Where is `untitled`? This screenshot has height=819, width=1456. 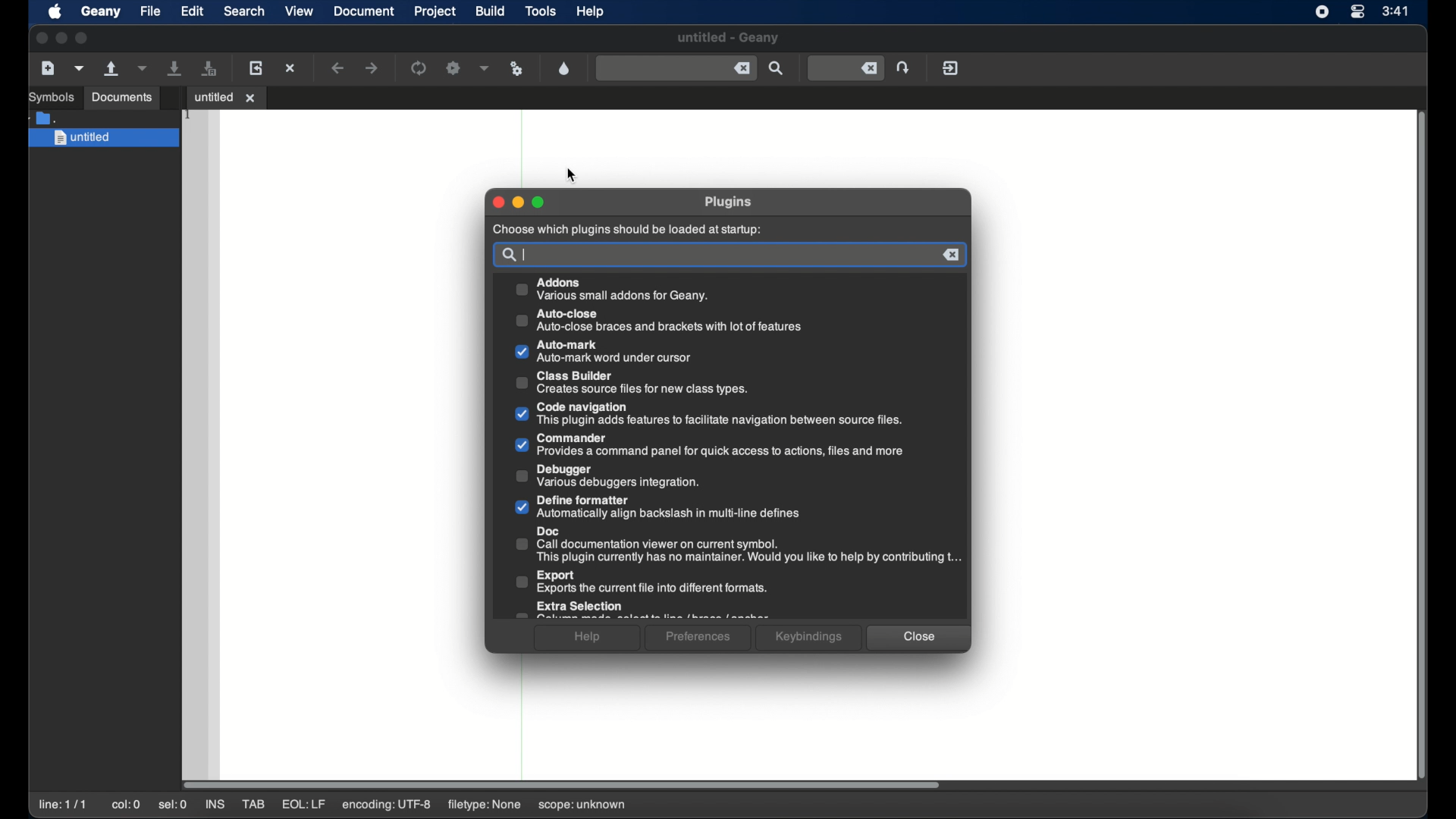 untitled is located at coordinates (102, 139).